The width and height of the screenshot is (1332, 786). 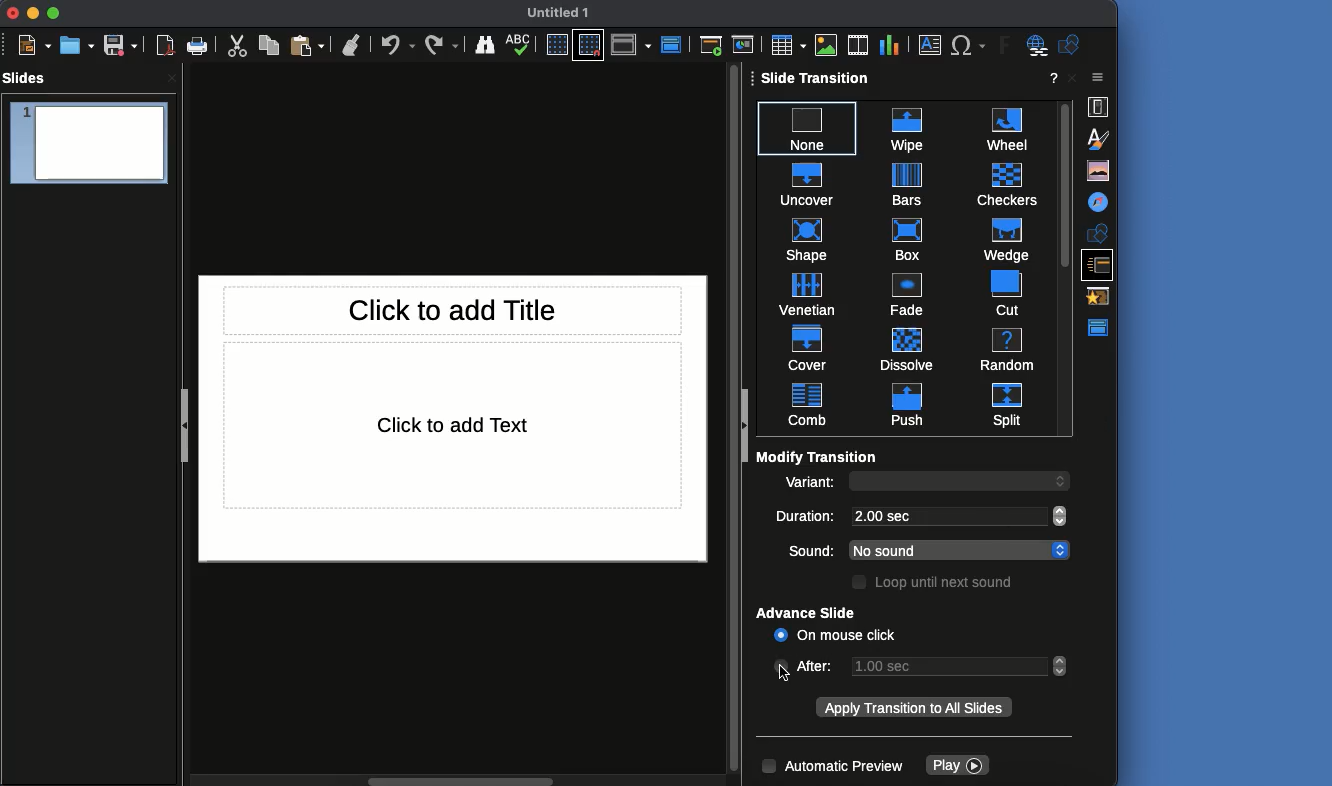 What do you see at coordinates (827, 43) in the screenshot?
I see `Image` at bounding box center [827, 43].